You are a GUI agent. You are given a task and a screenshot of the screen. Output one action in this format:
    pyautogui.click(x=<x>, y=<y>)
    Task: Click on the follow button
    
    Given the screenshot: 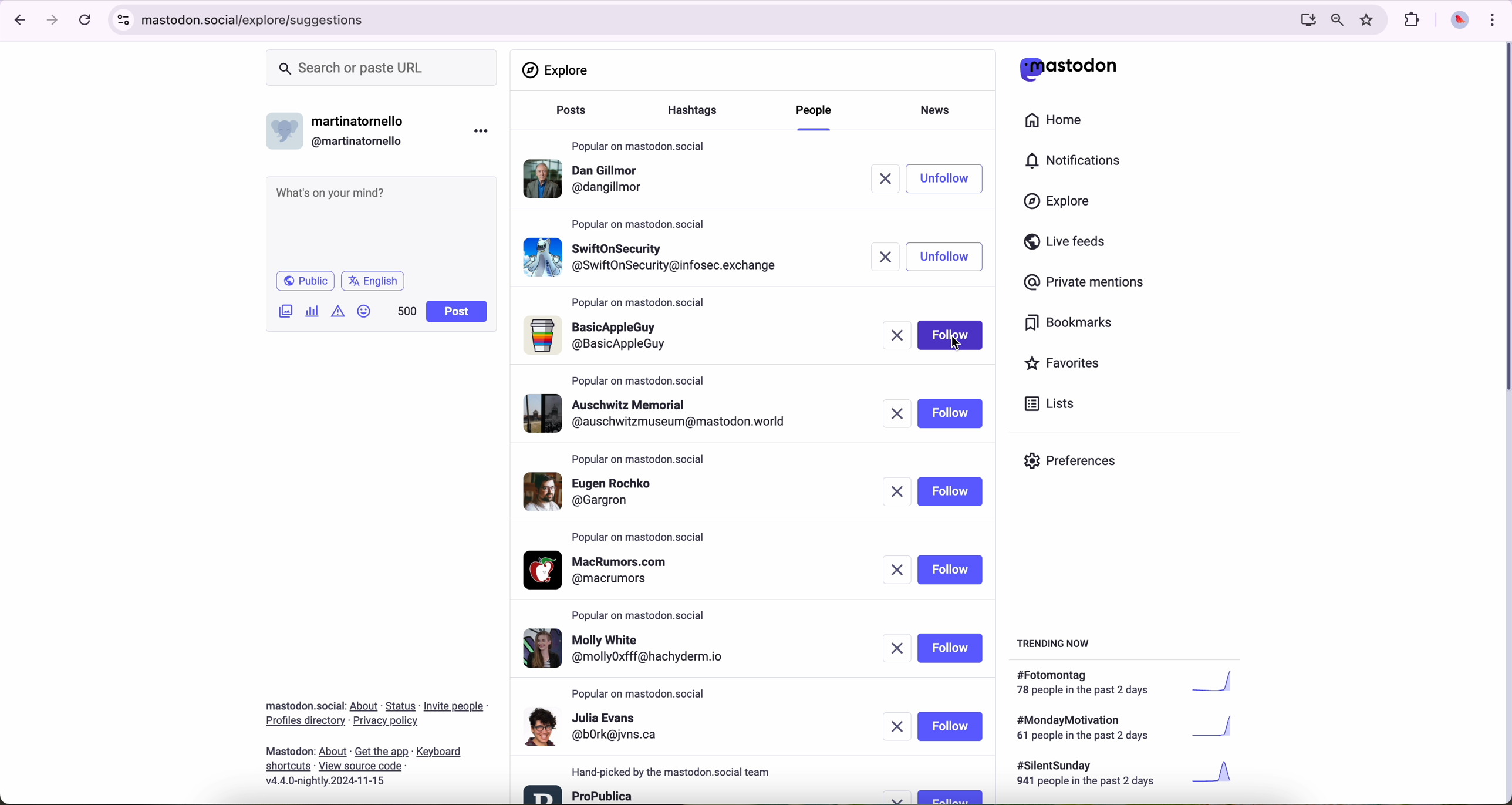 What is the action you would take?
    pyautogui.click(x=953, y=491)
    